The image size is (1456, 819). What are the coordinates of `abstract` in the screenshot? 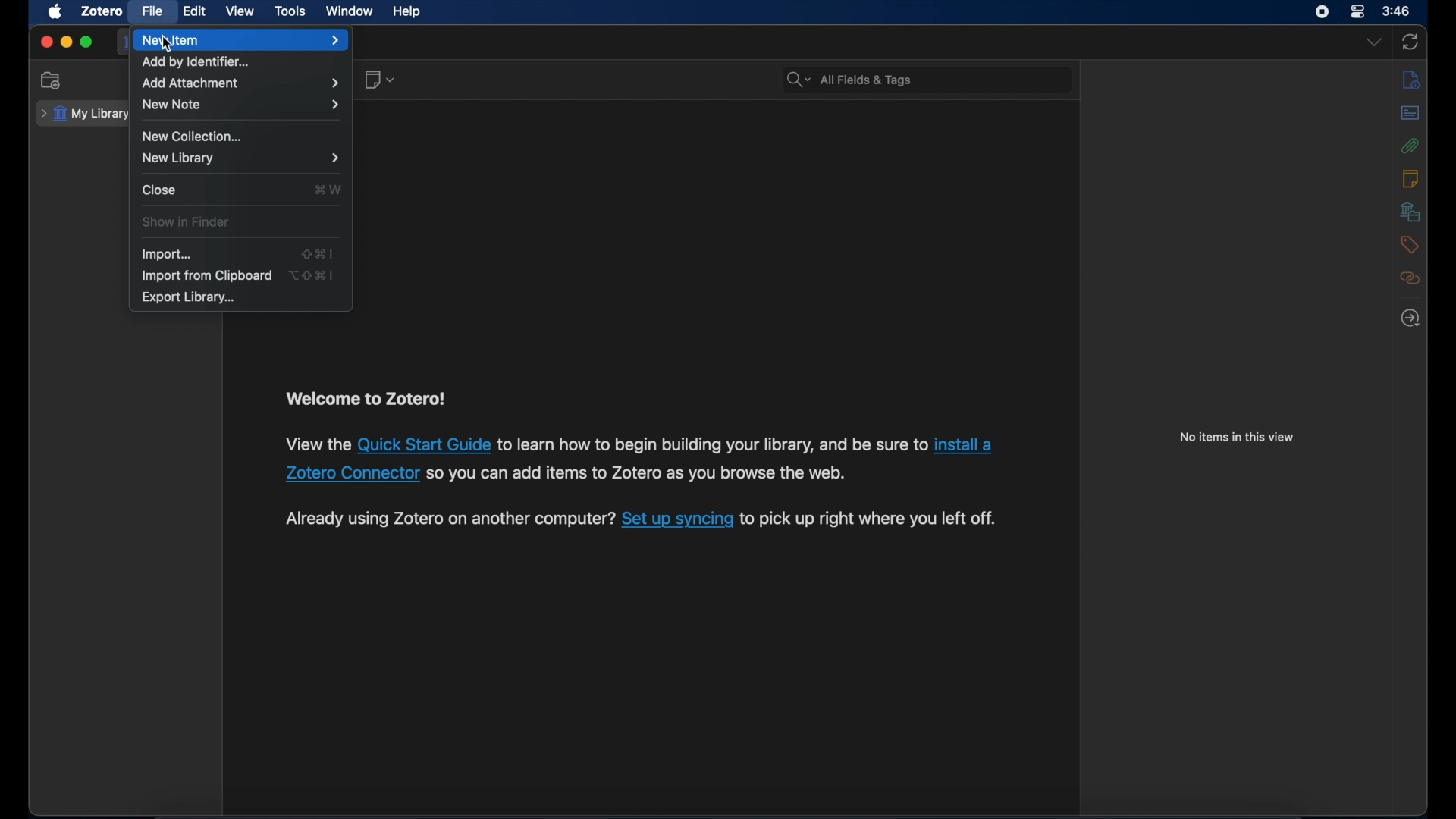 It's located at (1410, 113).